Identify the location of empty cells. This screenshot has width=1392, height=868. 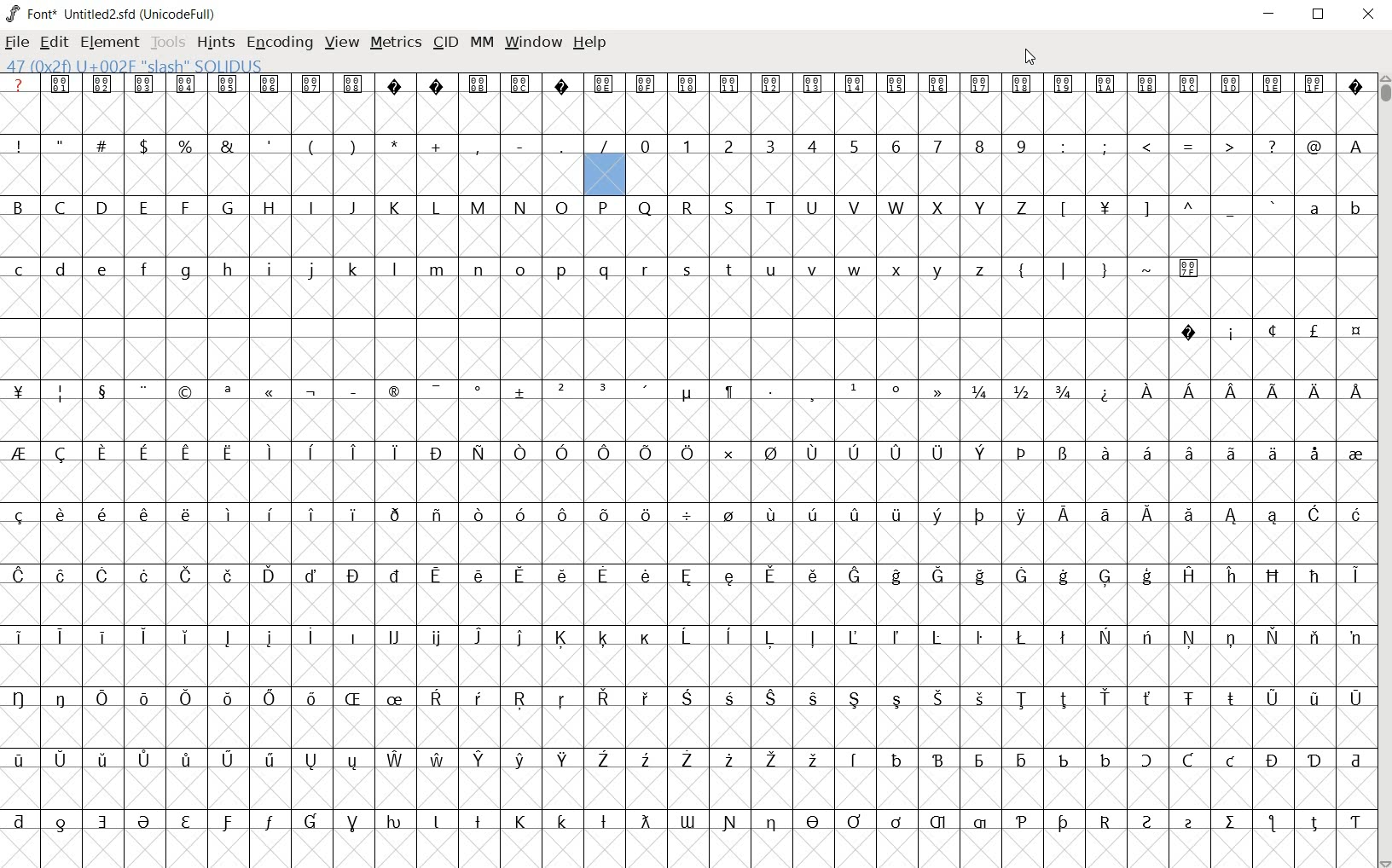
(292, 174).